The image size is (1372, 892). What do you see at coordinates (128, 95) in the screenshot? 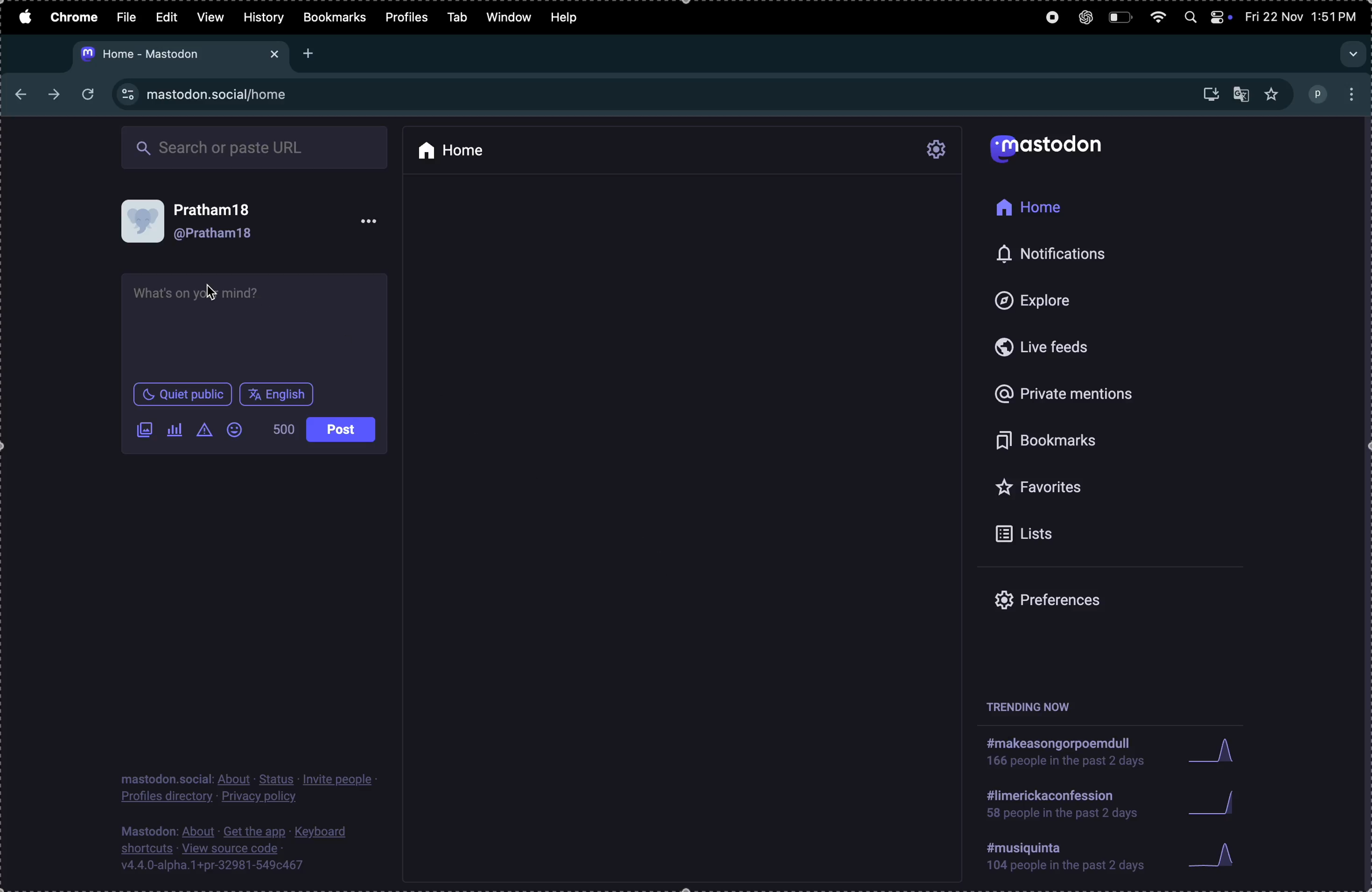
I see `view site information` at bounding box center [128, 95].